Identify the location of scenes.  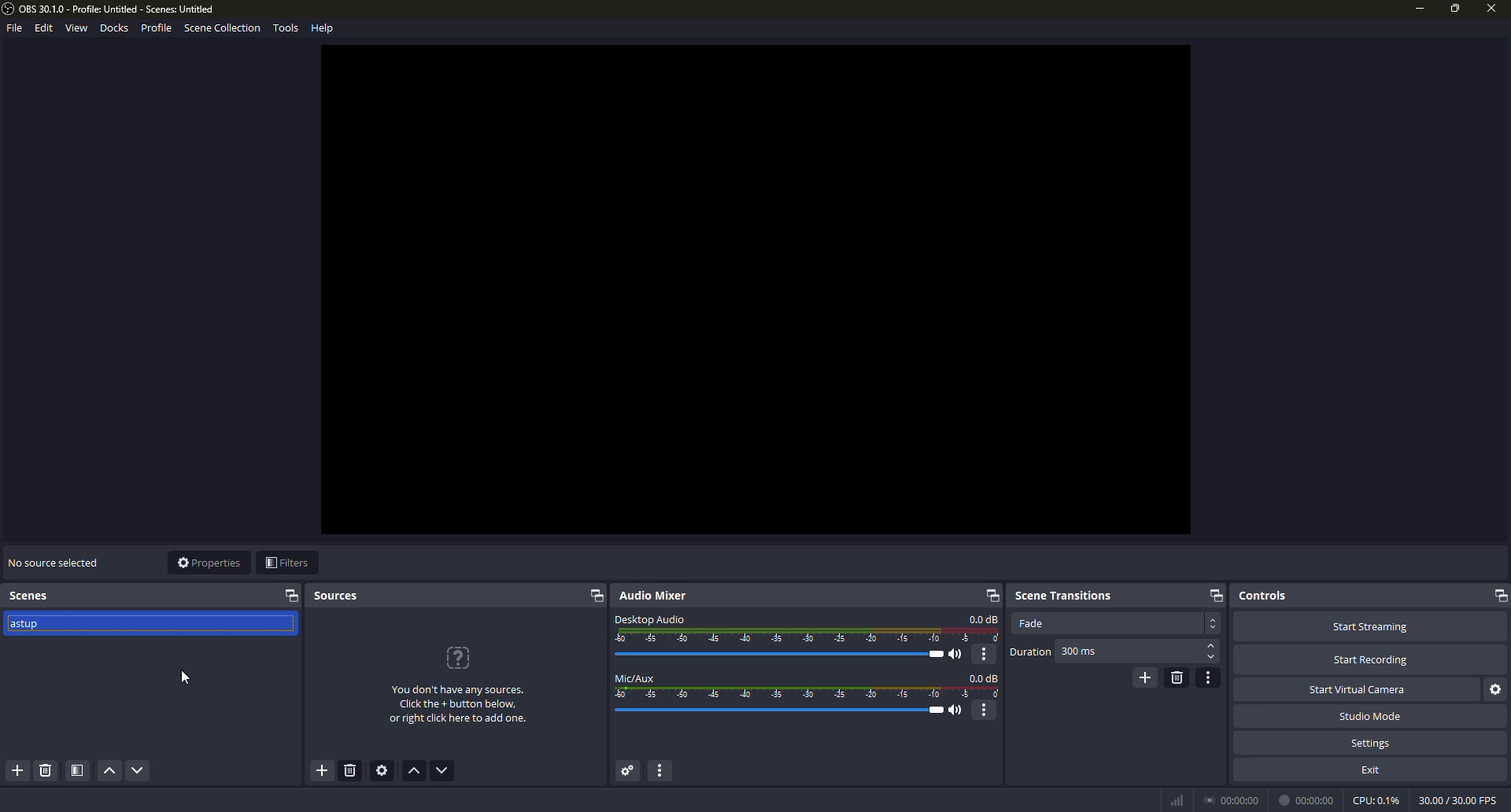
(31, 596).